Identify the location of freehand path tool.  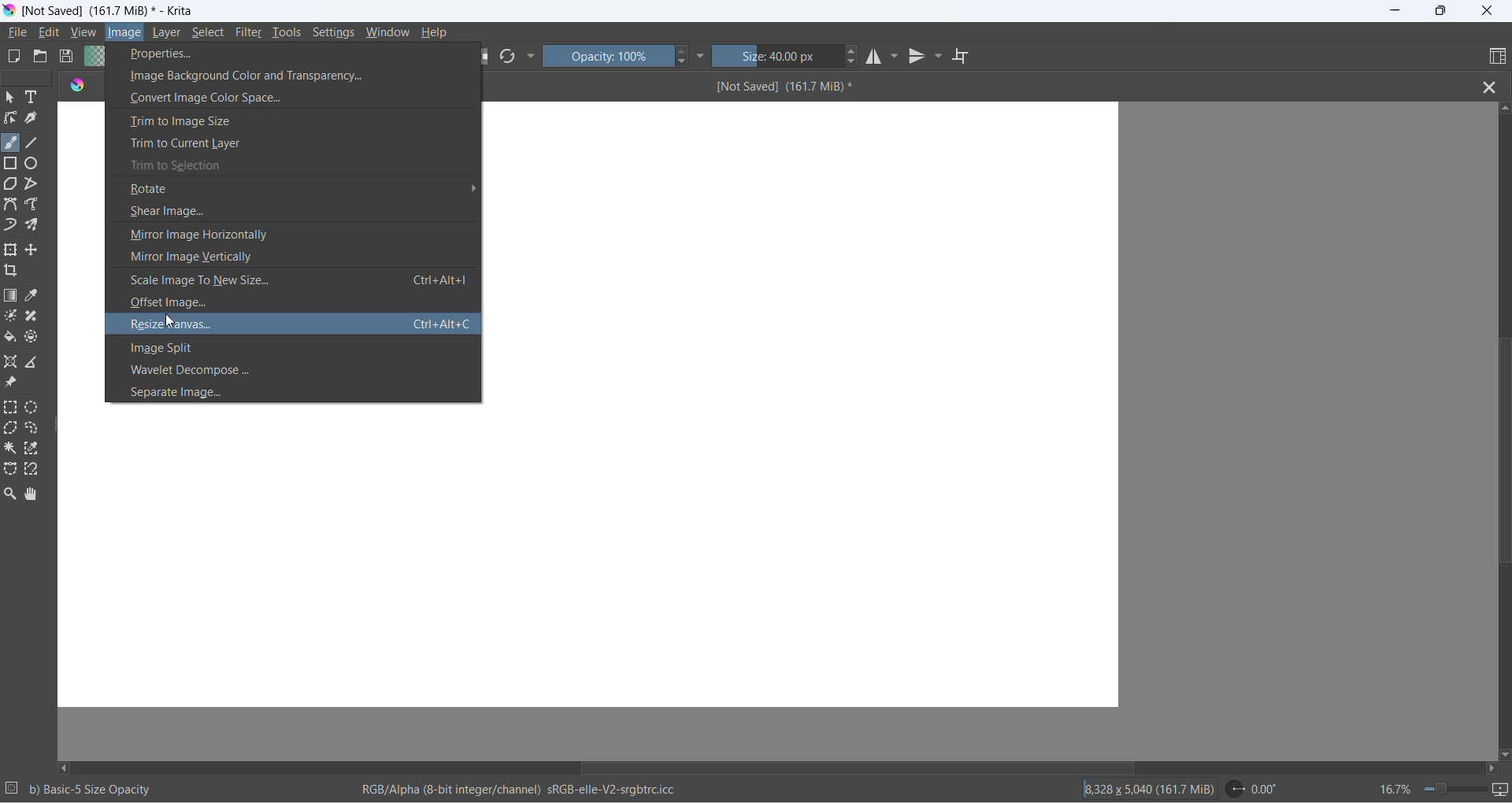
(35, 205).